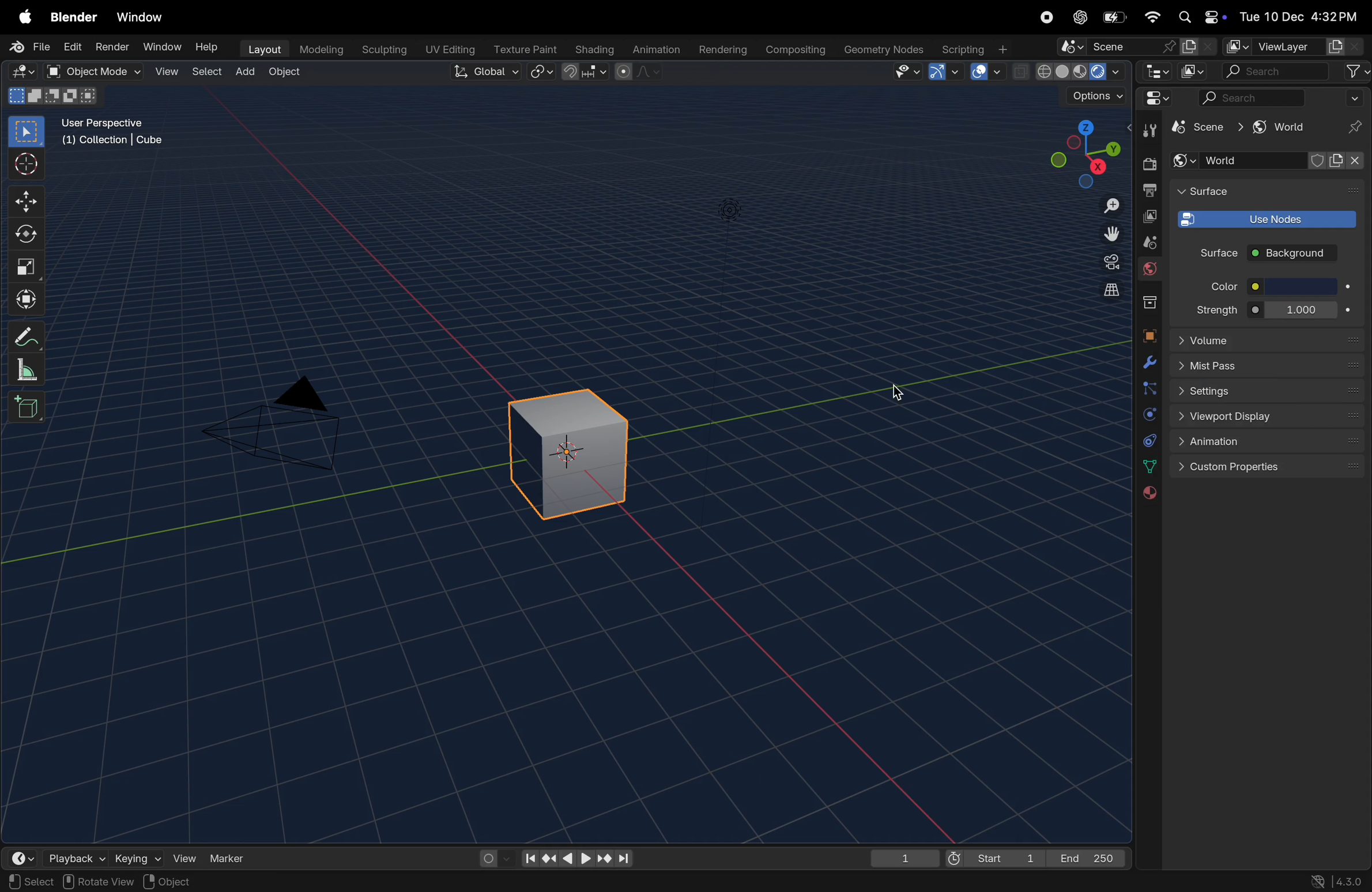  What do you see at coordinates (721, 49) in the screenshot?
I see `Rendering` at bounding box center [721, 49].